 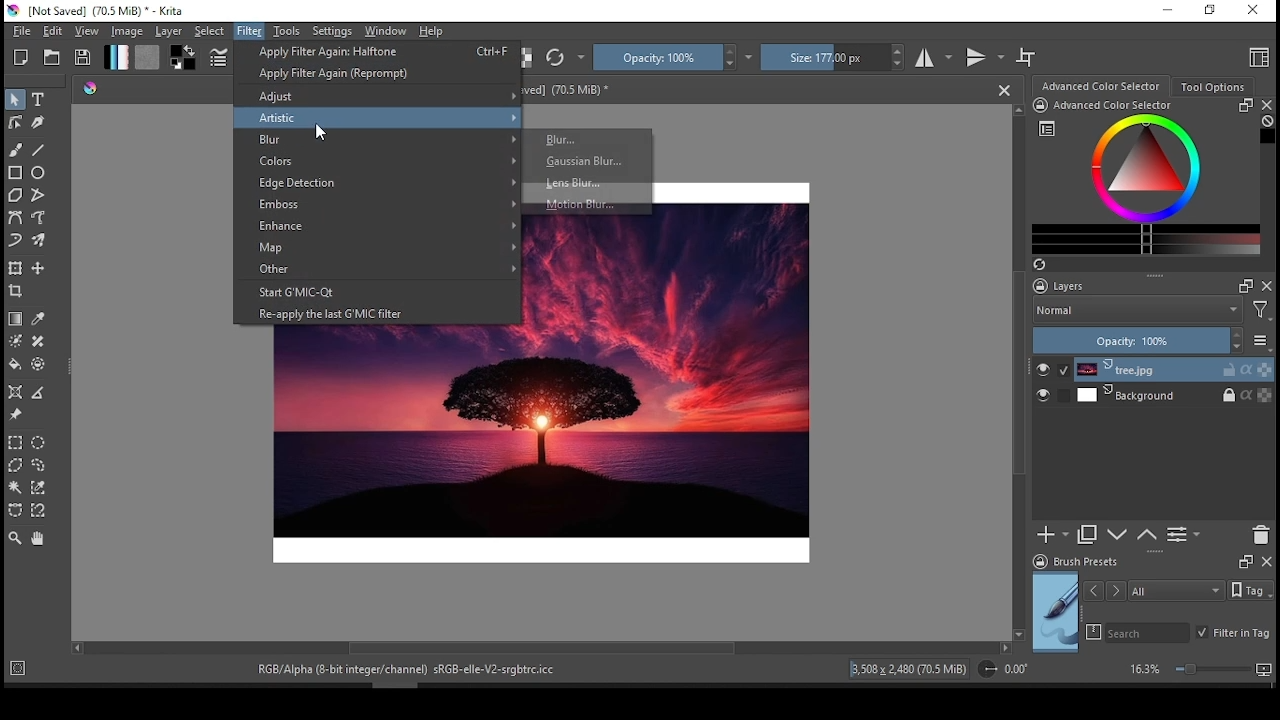 I want to click on tools, so click(x=286, y=31).